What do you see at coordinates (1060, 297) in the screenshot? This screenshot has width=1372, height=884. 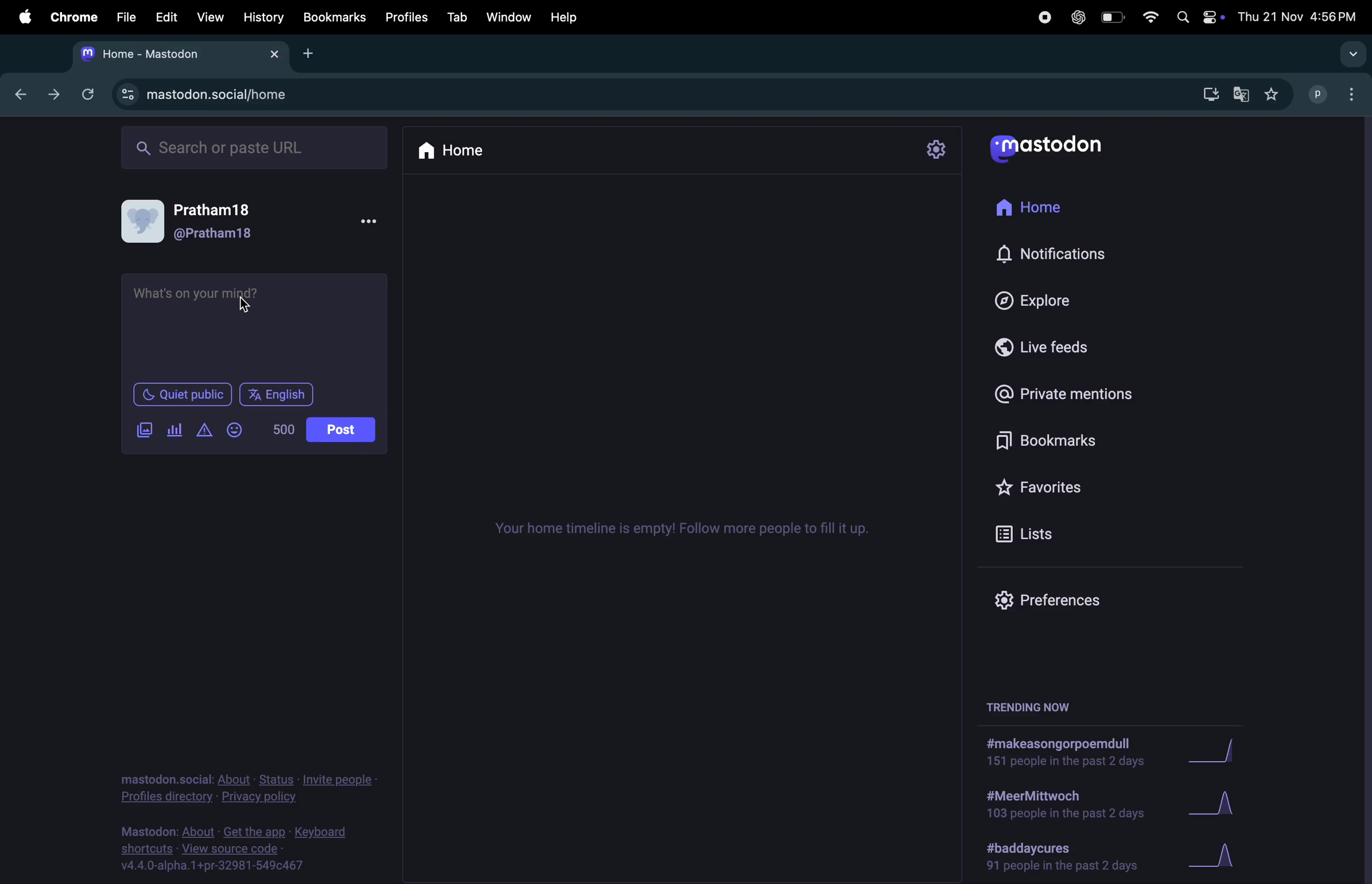 I see `explore` at bounding box center [1060, 297].